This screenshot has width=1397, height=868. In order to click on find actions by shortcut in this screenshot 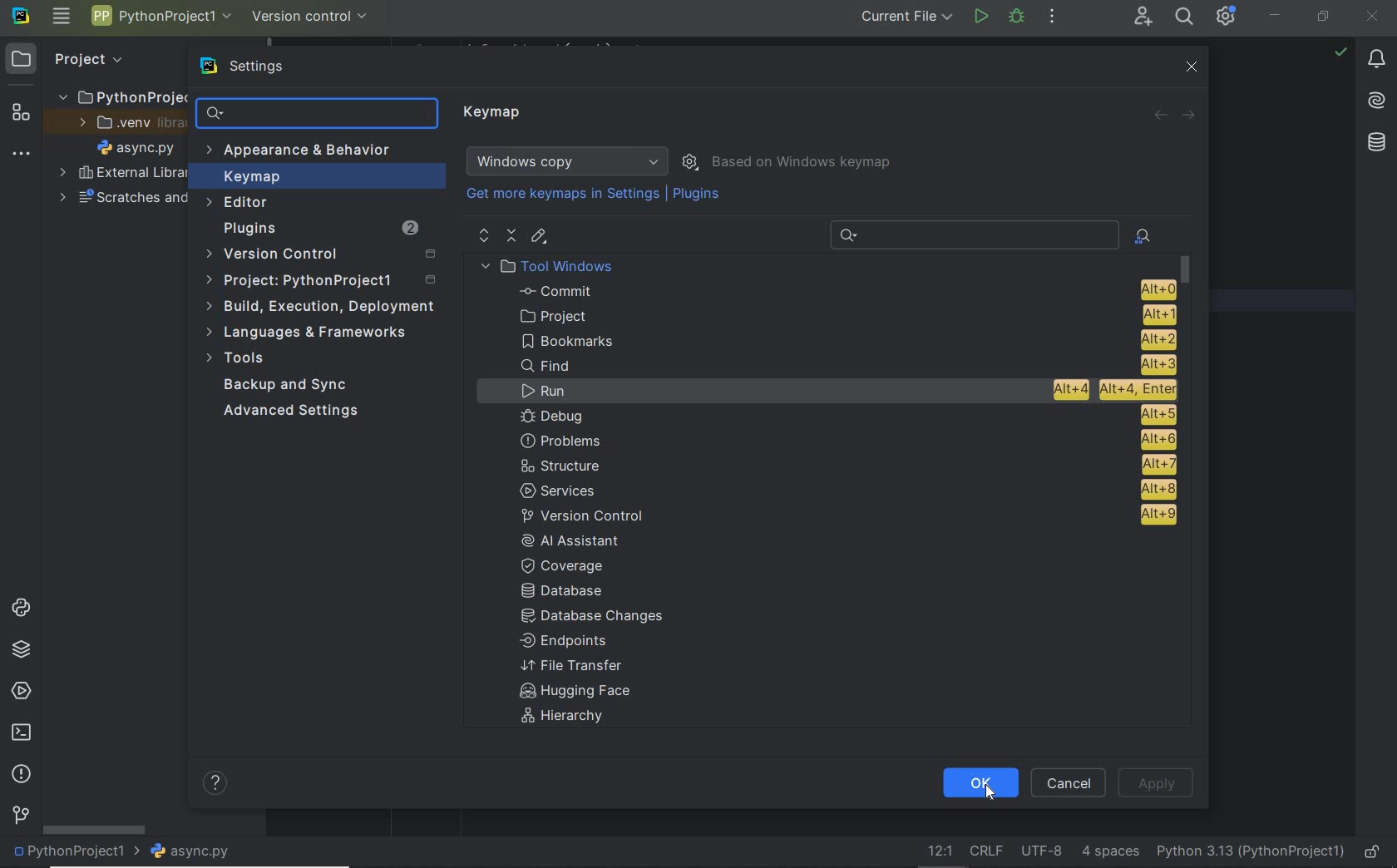, I will do `click(1143, 236)`.